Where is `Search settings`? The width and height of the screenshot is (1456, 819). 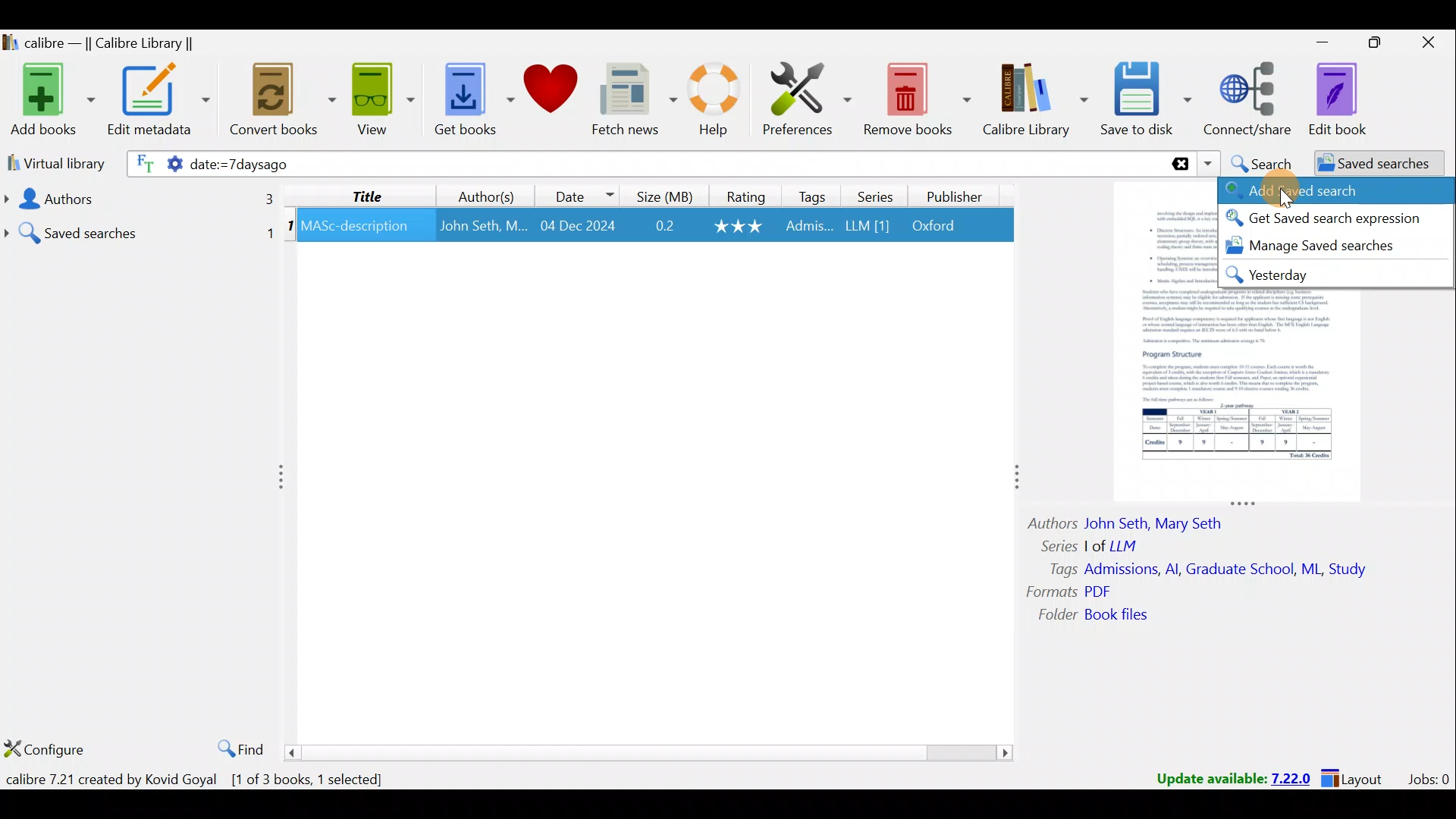
Search settings is located at coordinates (153, 166).